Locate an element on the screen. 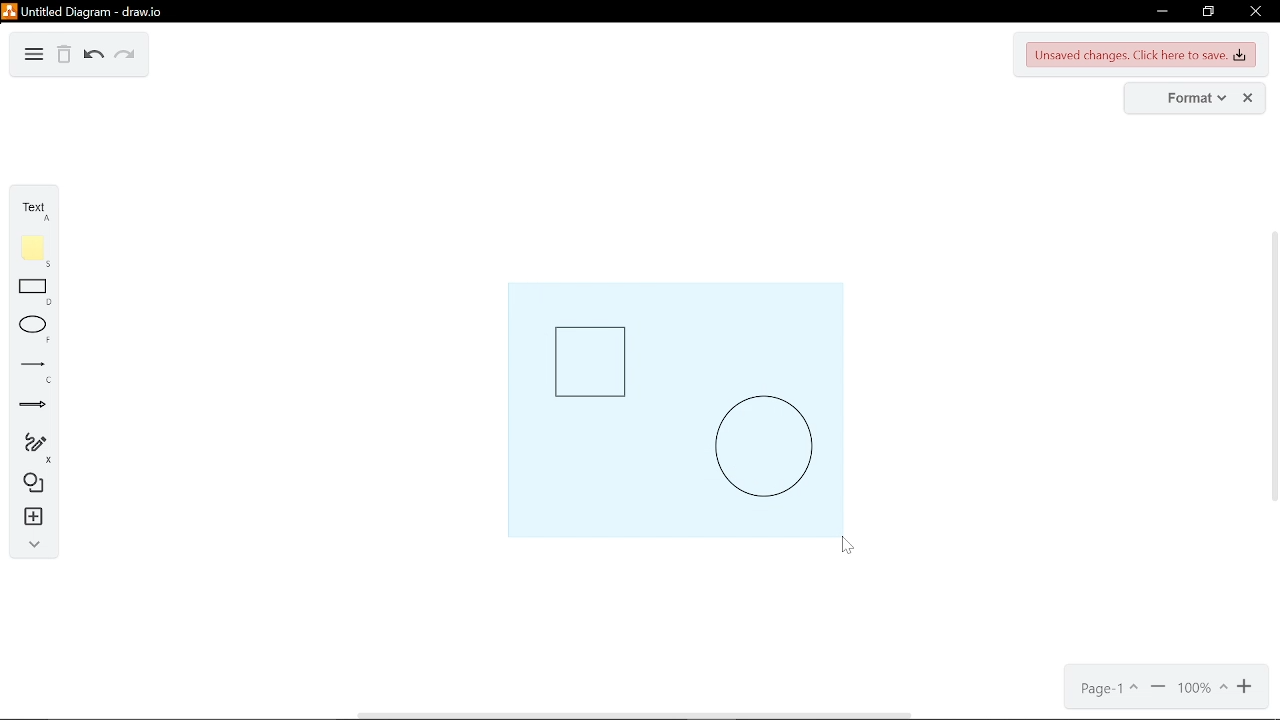 The height and width of the screenshot is (720, 1280). rectangle is located at coordinates (32, 294).